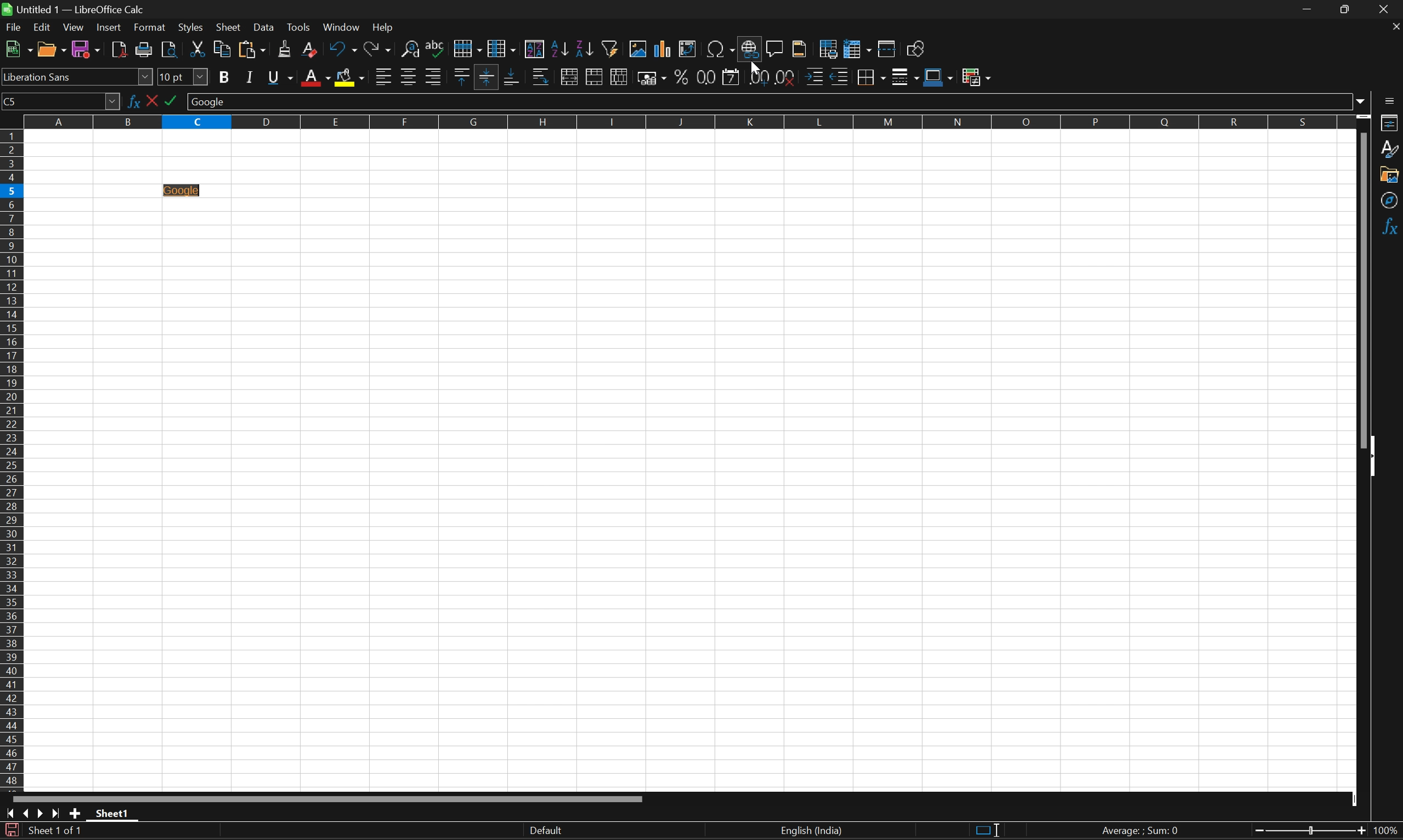  I want to click on Align bottom, so click(512, 76).